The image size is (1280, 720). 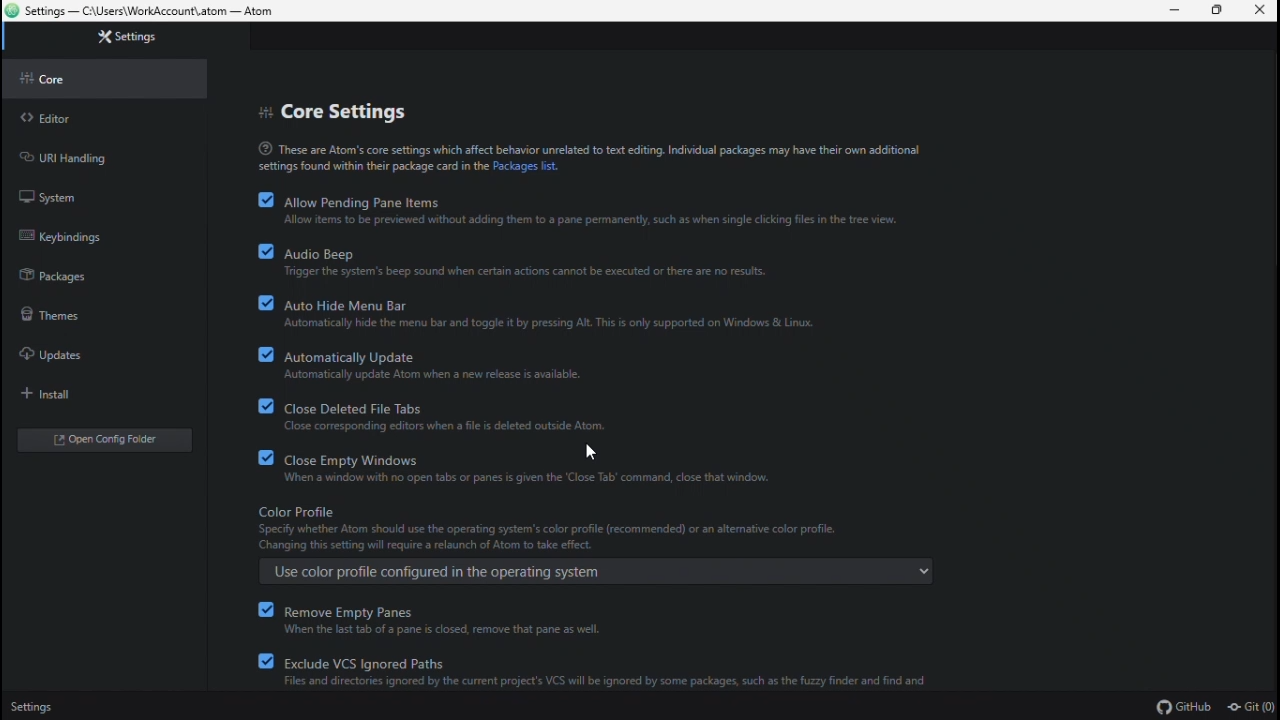 I want to click on packages, so click(x=86, y=274).